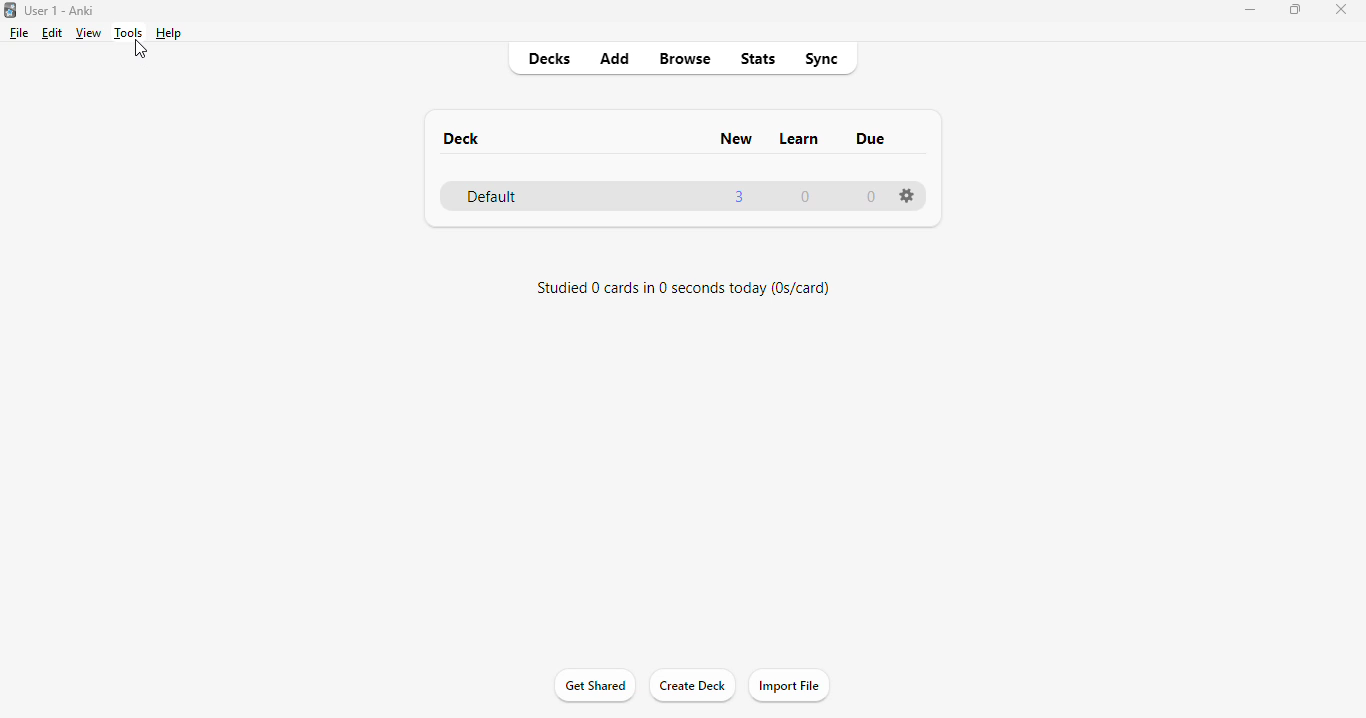 This screenshot has width=1366, height=718. I want to click on learn, so click(800, 139).